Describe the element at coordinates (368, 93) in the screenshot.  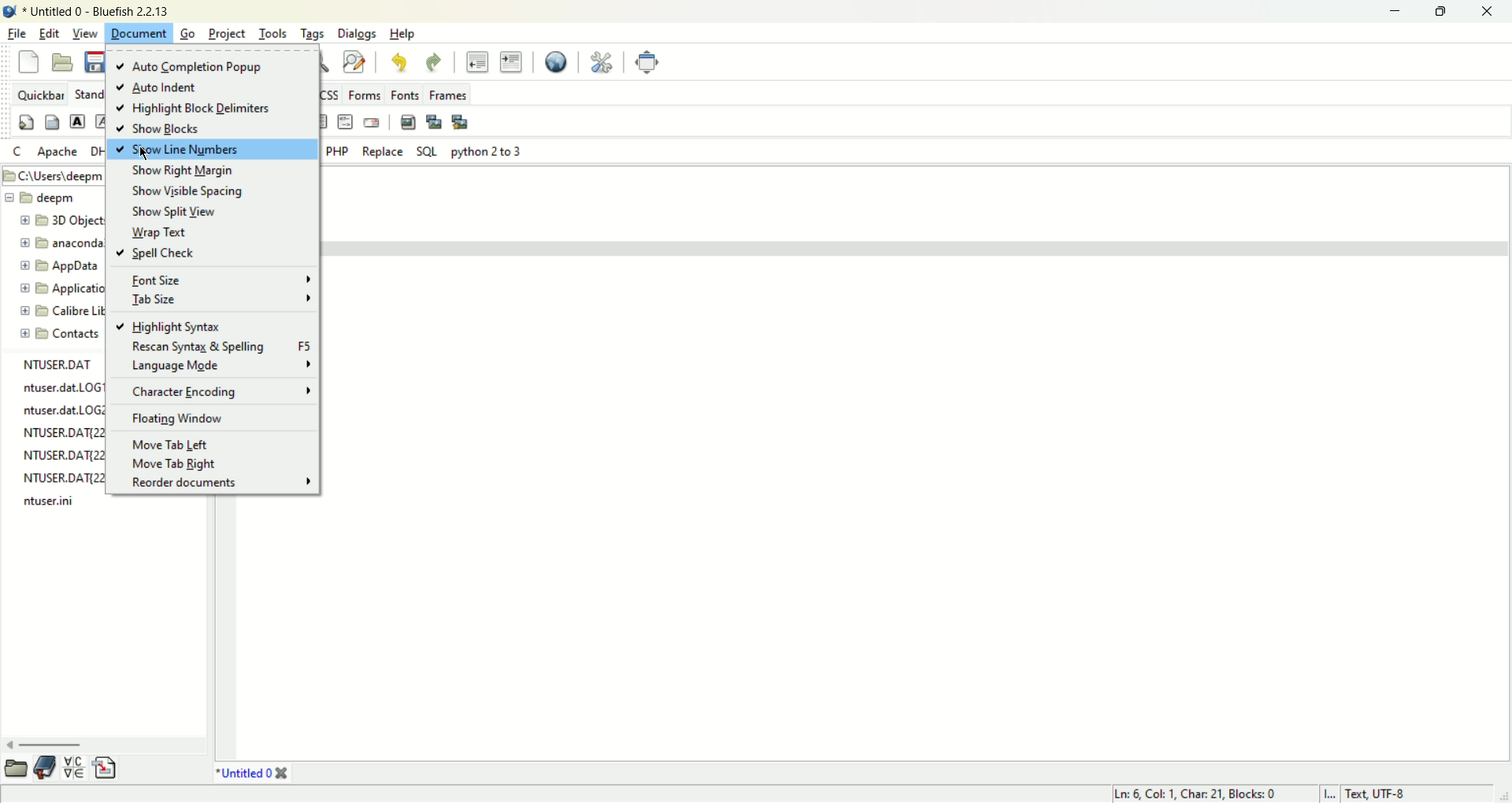
I see `forms` at that location.